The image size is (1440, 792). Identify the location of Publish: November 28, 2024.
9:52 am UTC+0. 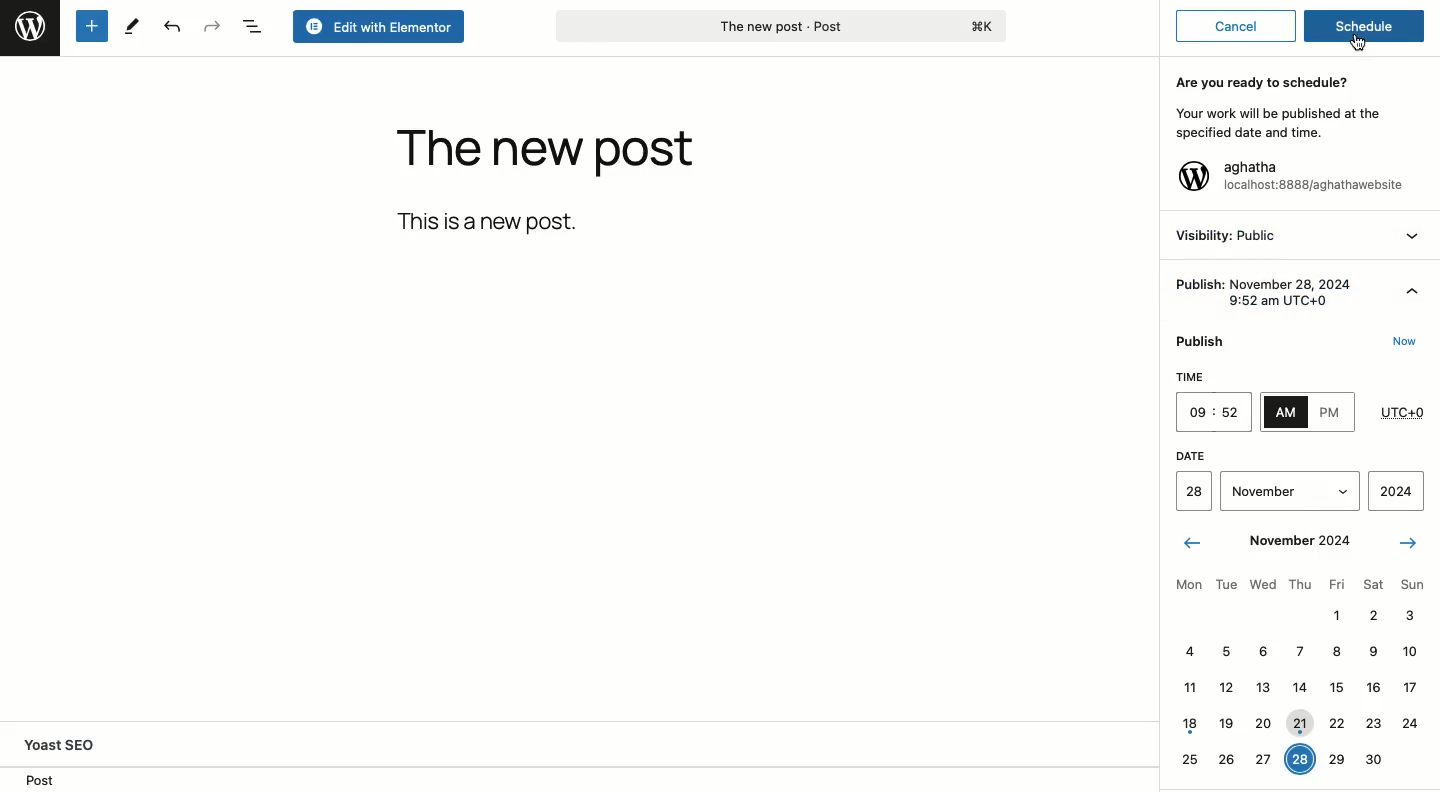
(1266, 289).